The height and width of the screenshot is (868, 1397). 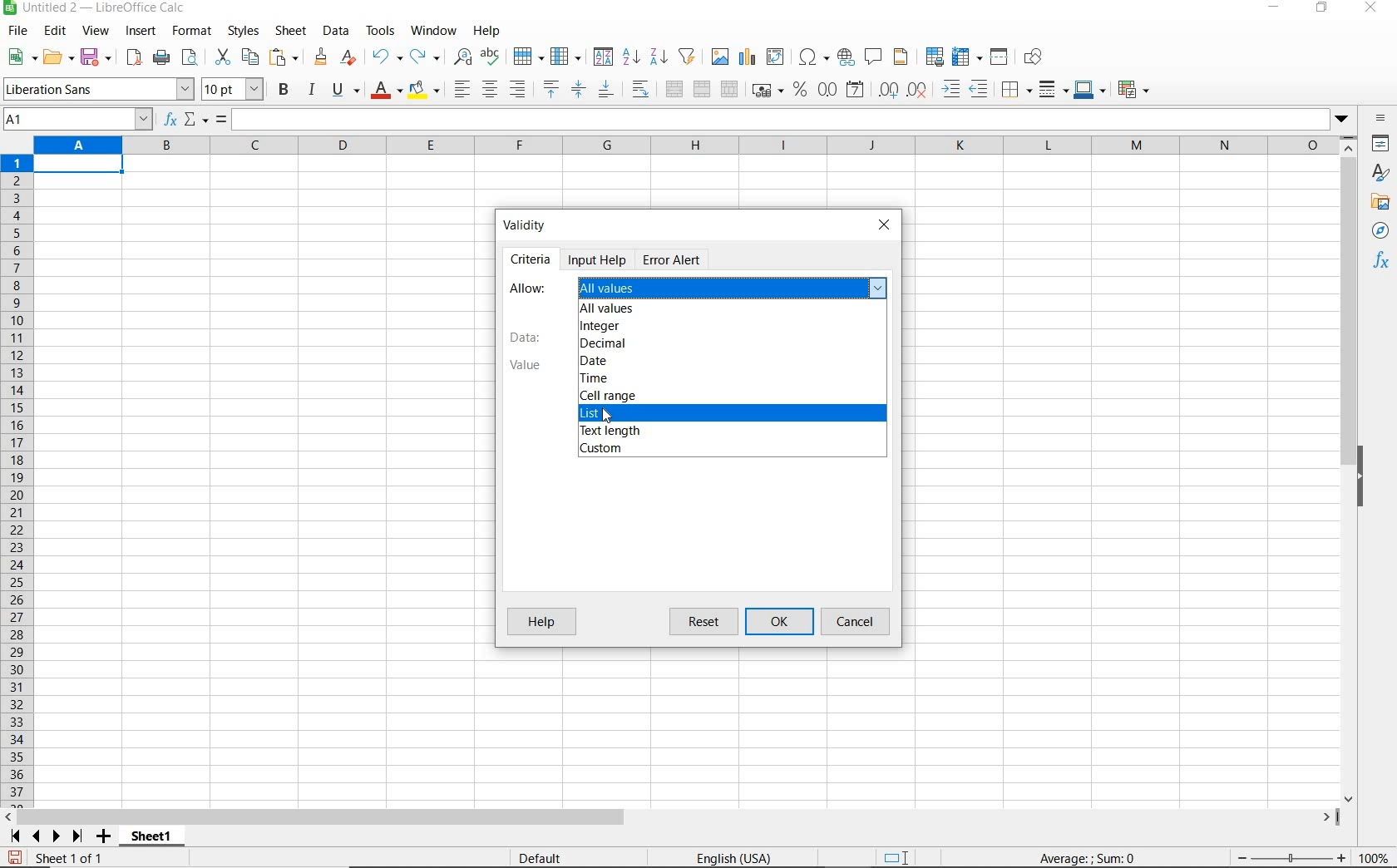 I want to click on window, so click(x=433, y=28).